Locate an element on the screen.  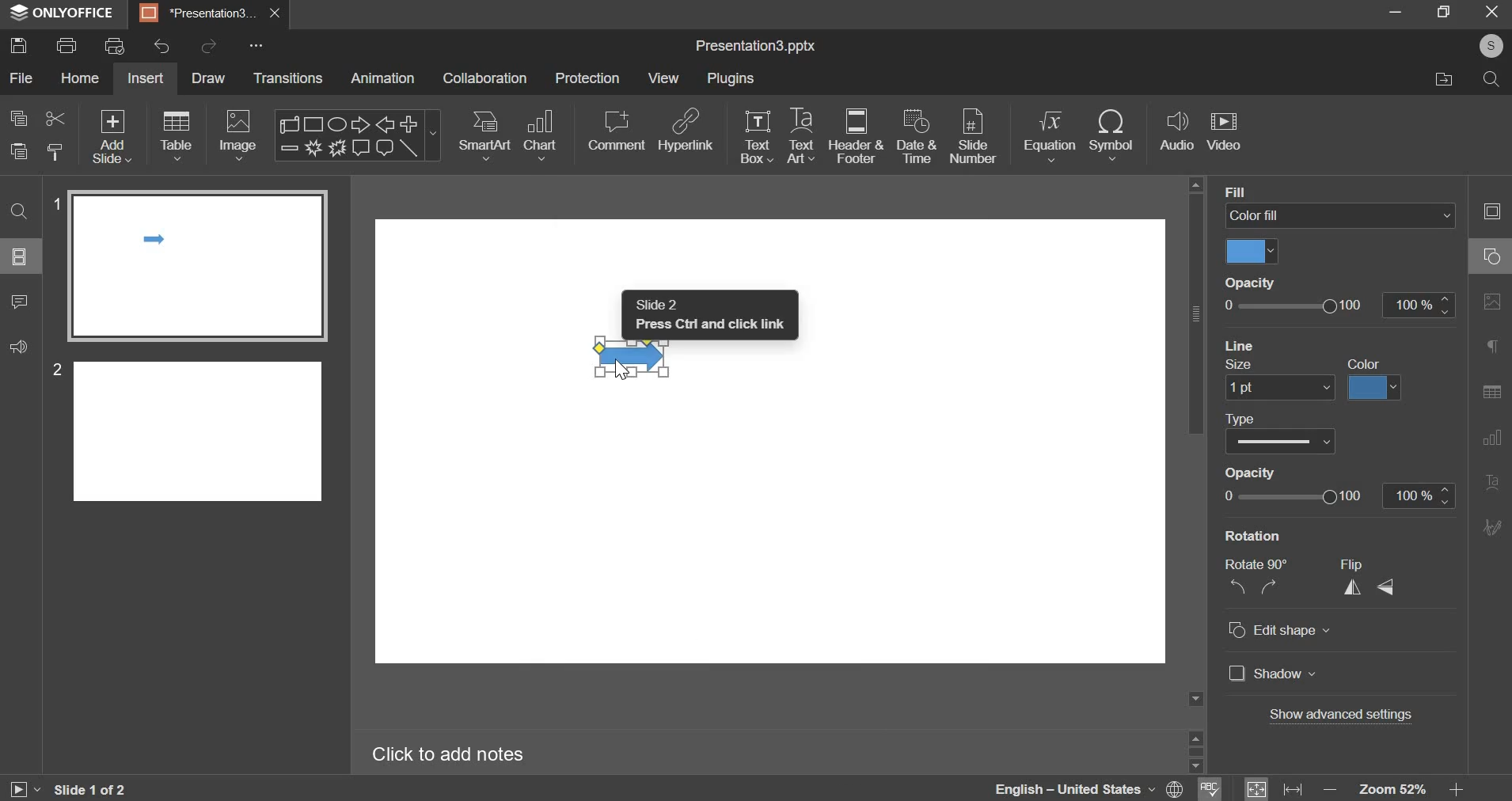
print is located at coordinates (66, 45).